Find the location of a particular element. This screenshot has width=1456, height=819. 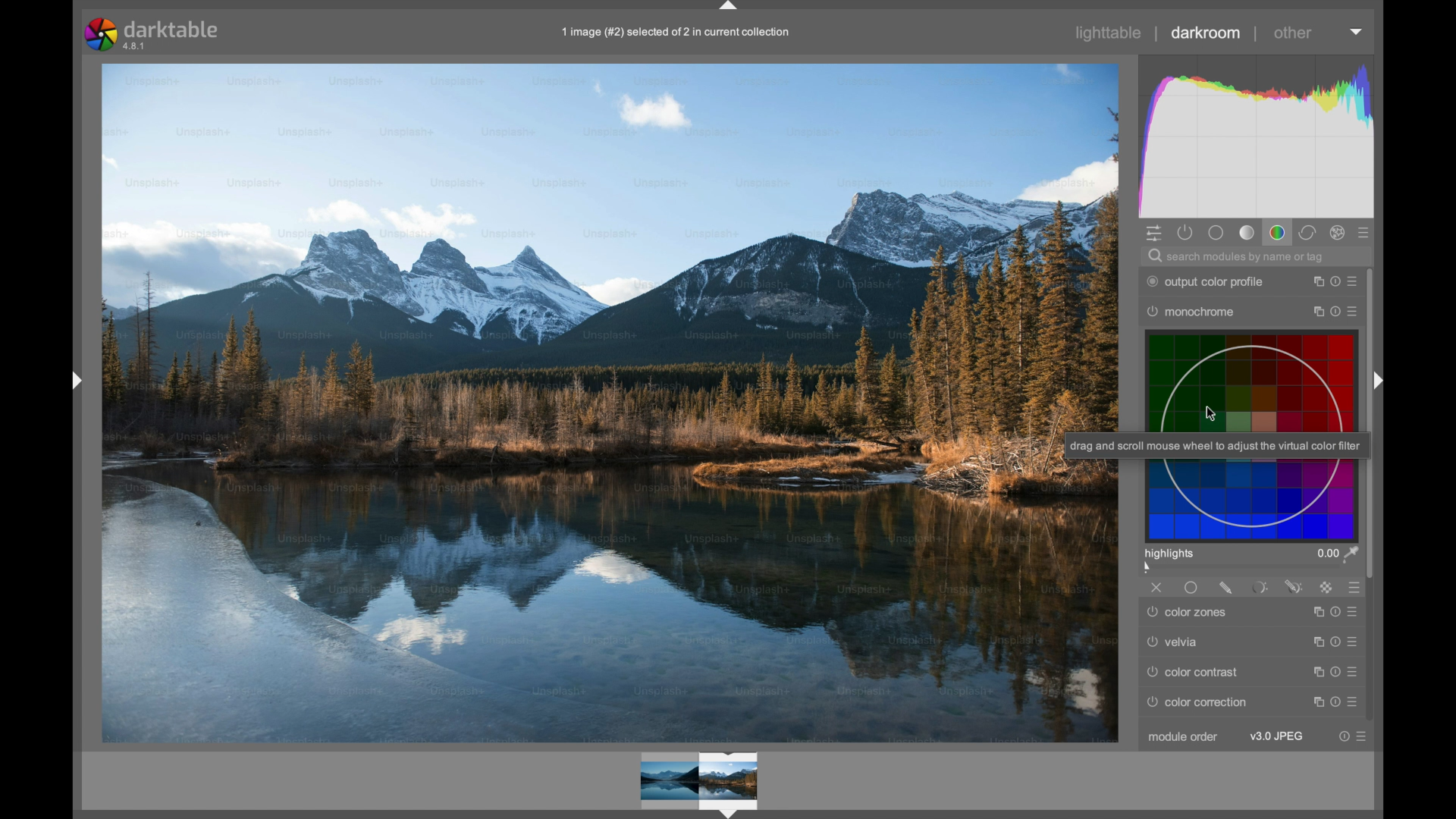

color zones is located at coordinates (1189, 613).